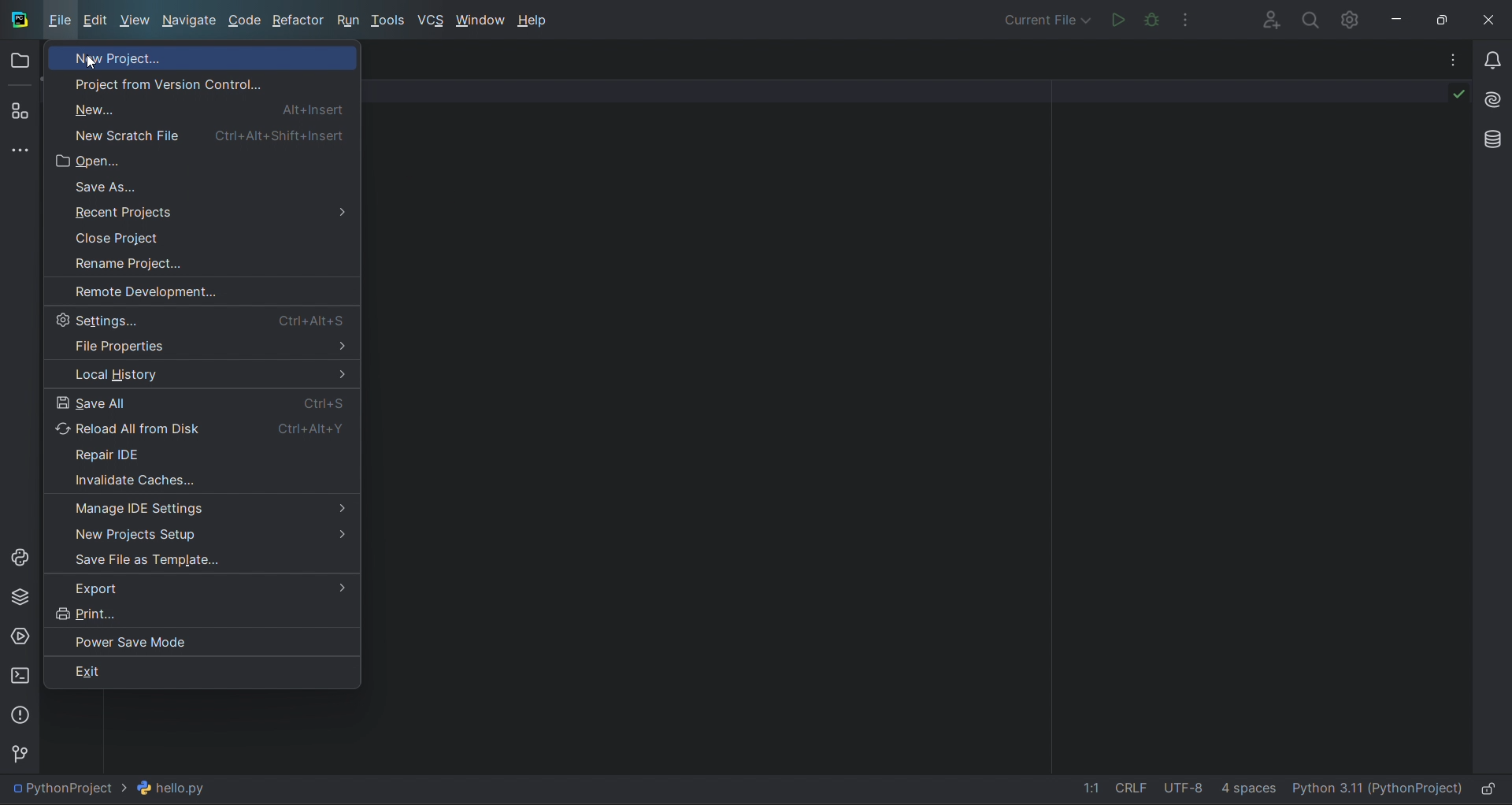  Describe the element at coordinates (1376, 792) in the screenshot. I see `intererpreter` at that location.